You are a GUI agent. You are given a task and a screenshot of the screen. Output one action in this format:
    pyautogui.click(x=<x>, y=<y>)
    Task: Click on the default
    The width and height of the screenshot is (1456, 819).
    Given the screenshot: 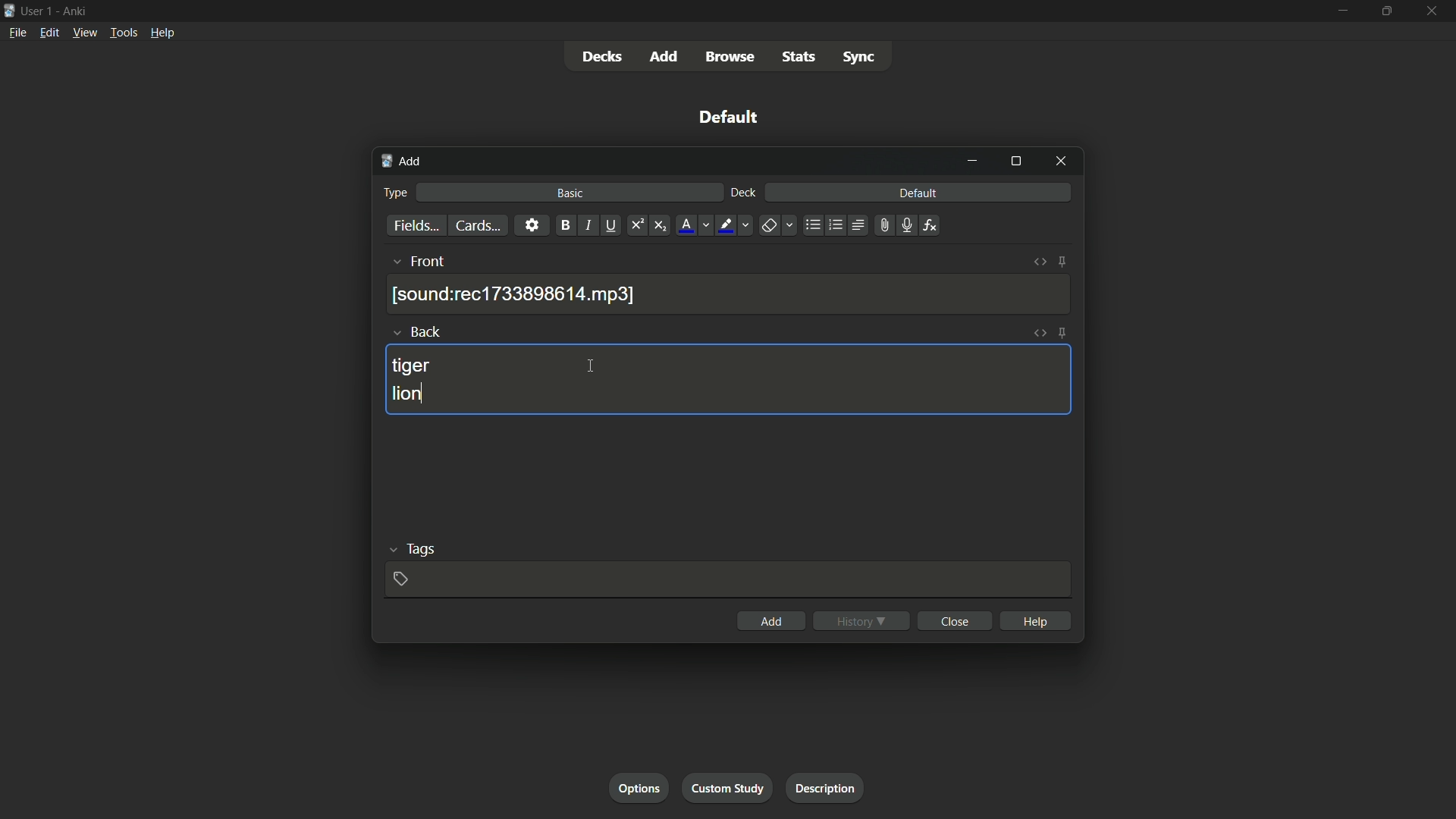 What is the action you would take?
    pyautogui.click(x=729, y=117)
    